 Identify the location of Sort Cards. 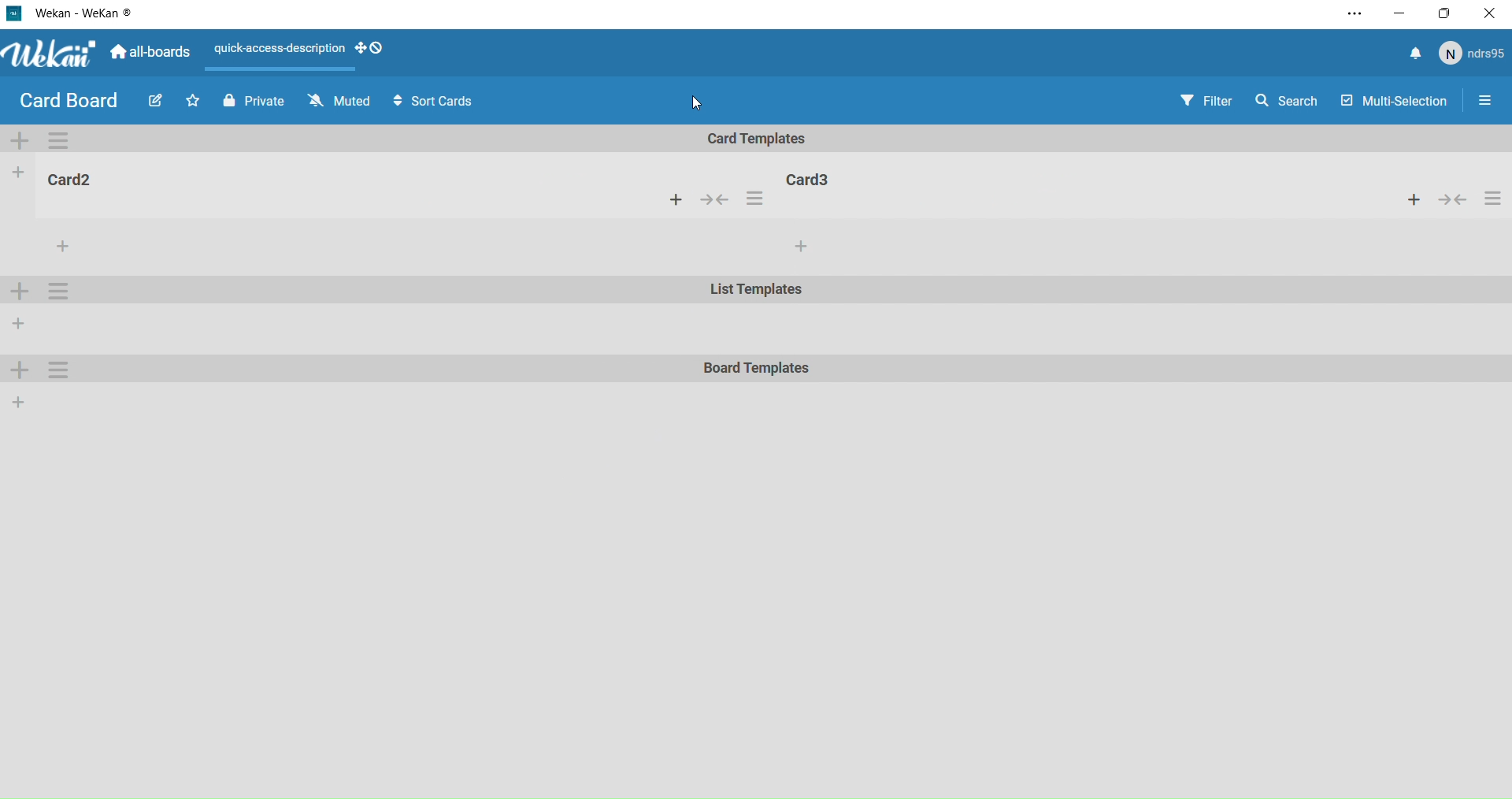
(438, 103).